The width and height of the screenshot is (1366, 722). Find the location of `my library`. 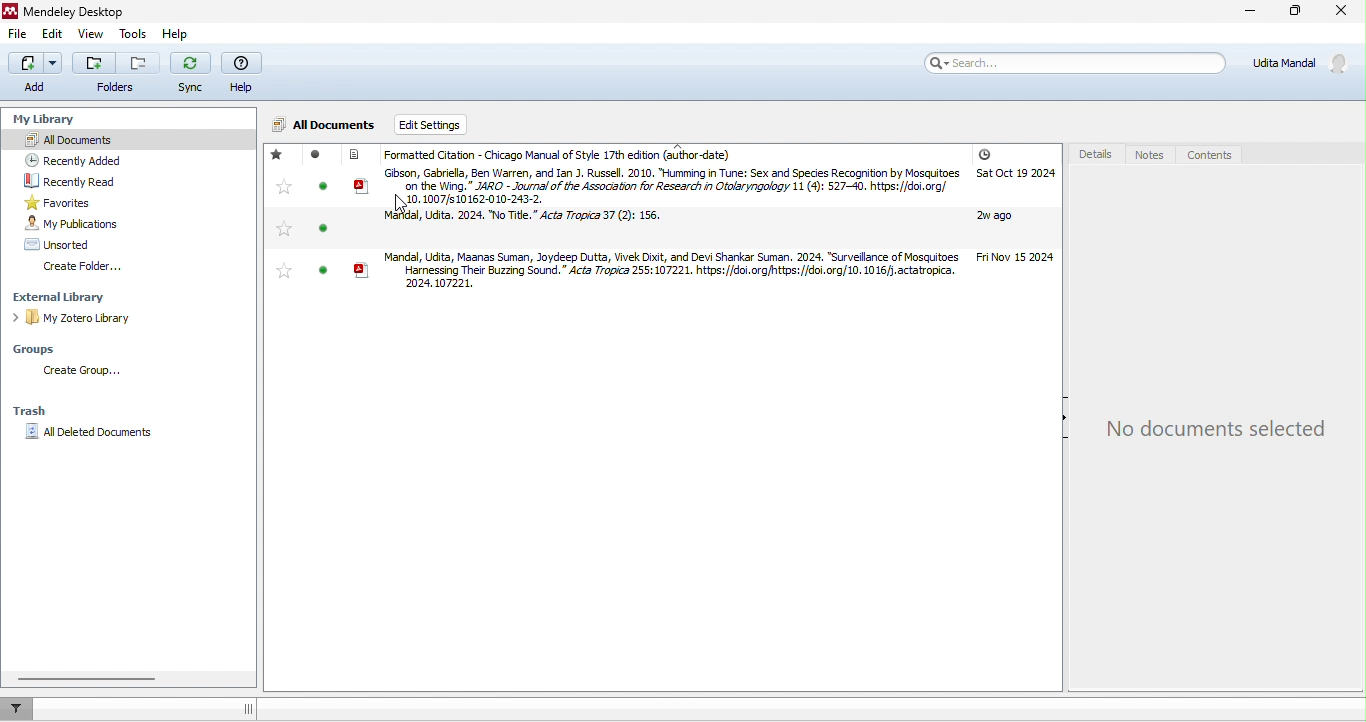

my library is located at coordinates (48, 121).